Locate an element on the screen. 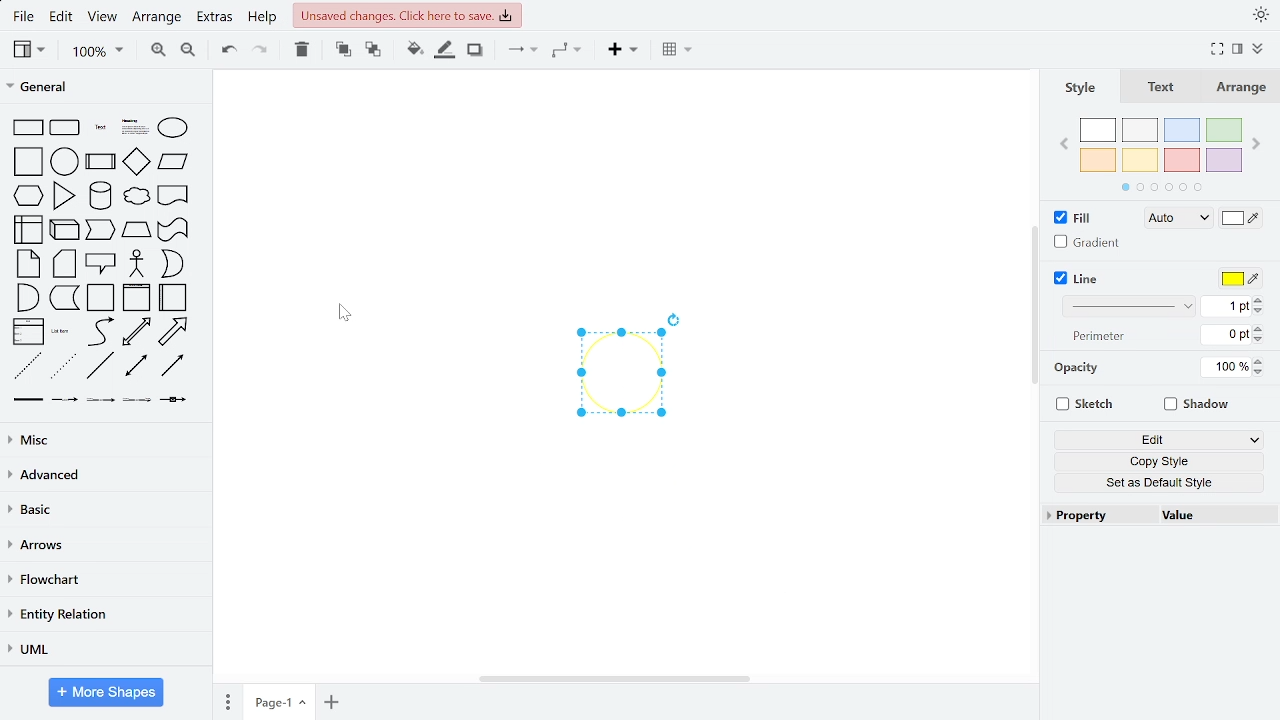  rotate diagram is located at coordinates (675, 319).